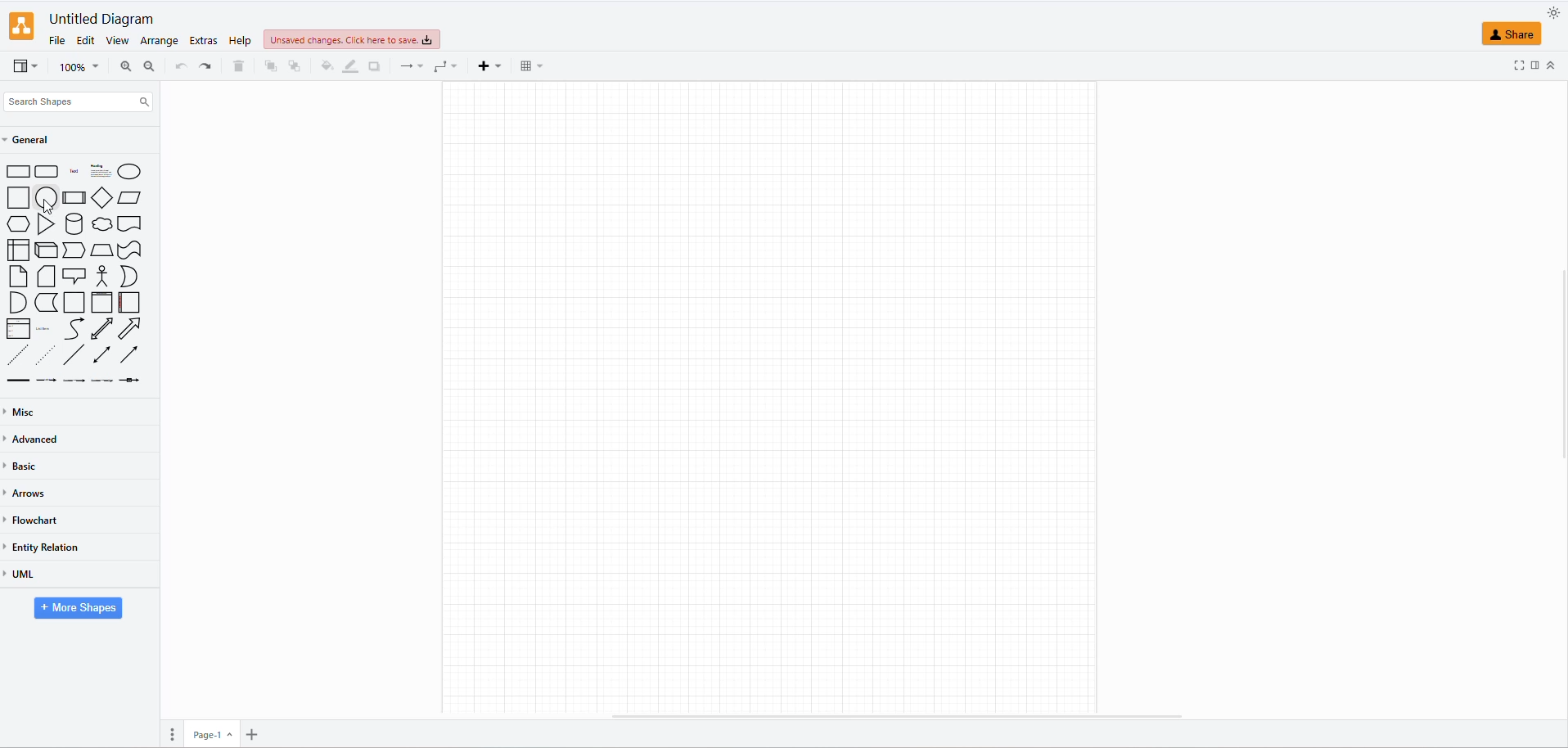  Describe the element at coordinates (526, 70) in the screenshot. I see `TABLE` at that location.